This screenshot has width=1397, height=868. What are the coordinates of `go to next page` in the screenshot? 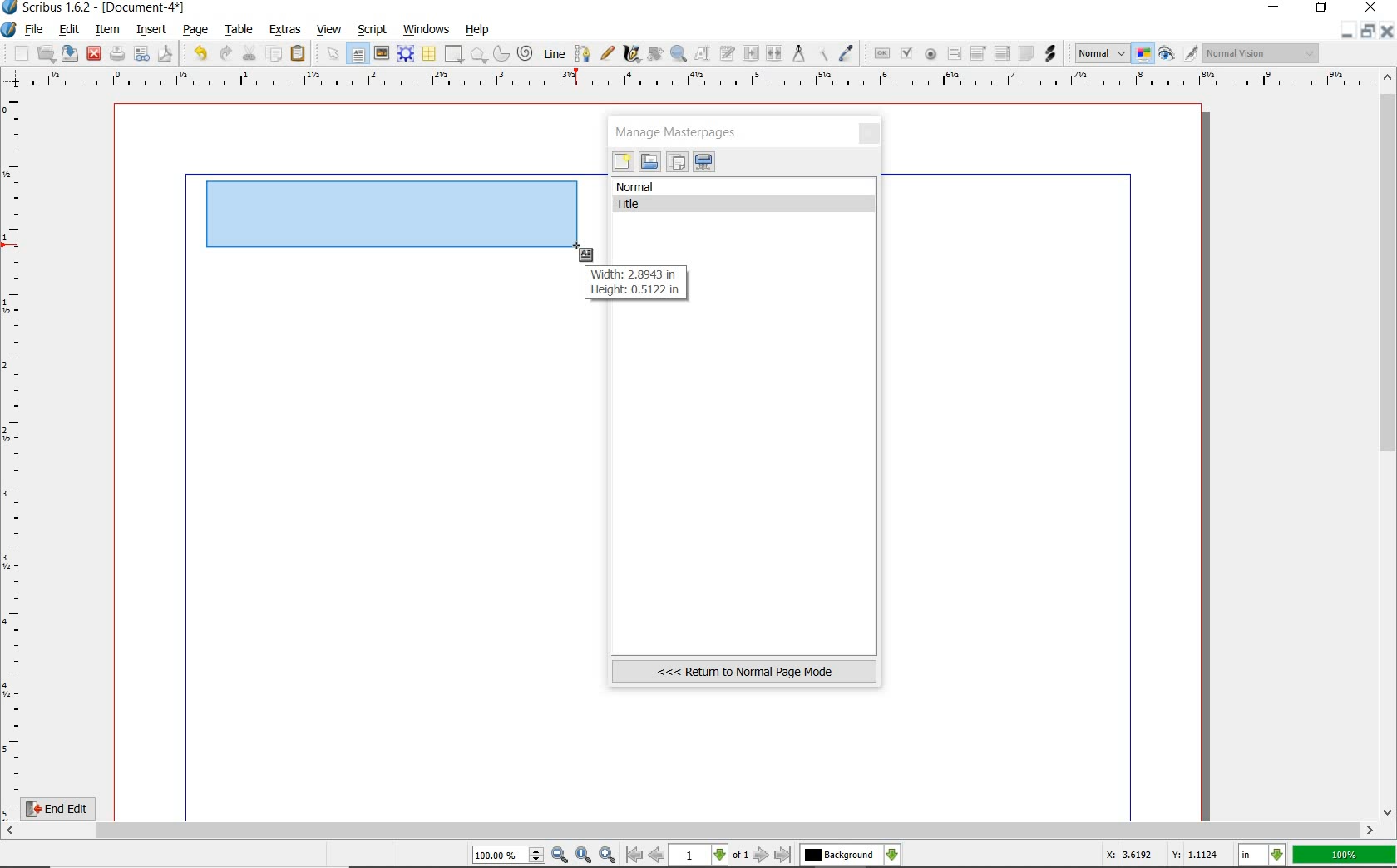 It's located at (763, 855).